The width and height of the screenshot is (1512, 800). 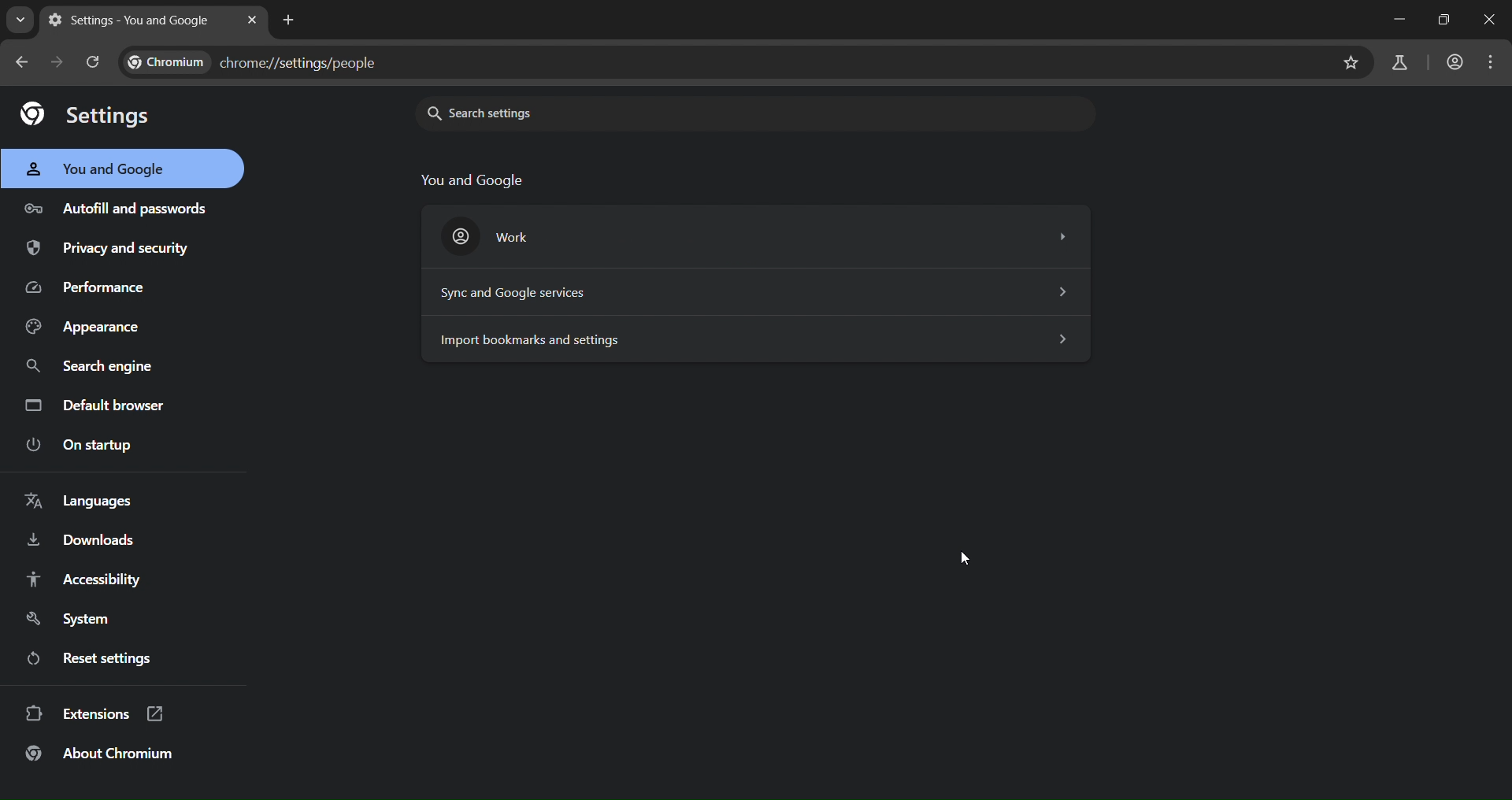 I want to click on about chroimum, so click(x=108, y=754).